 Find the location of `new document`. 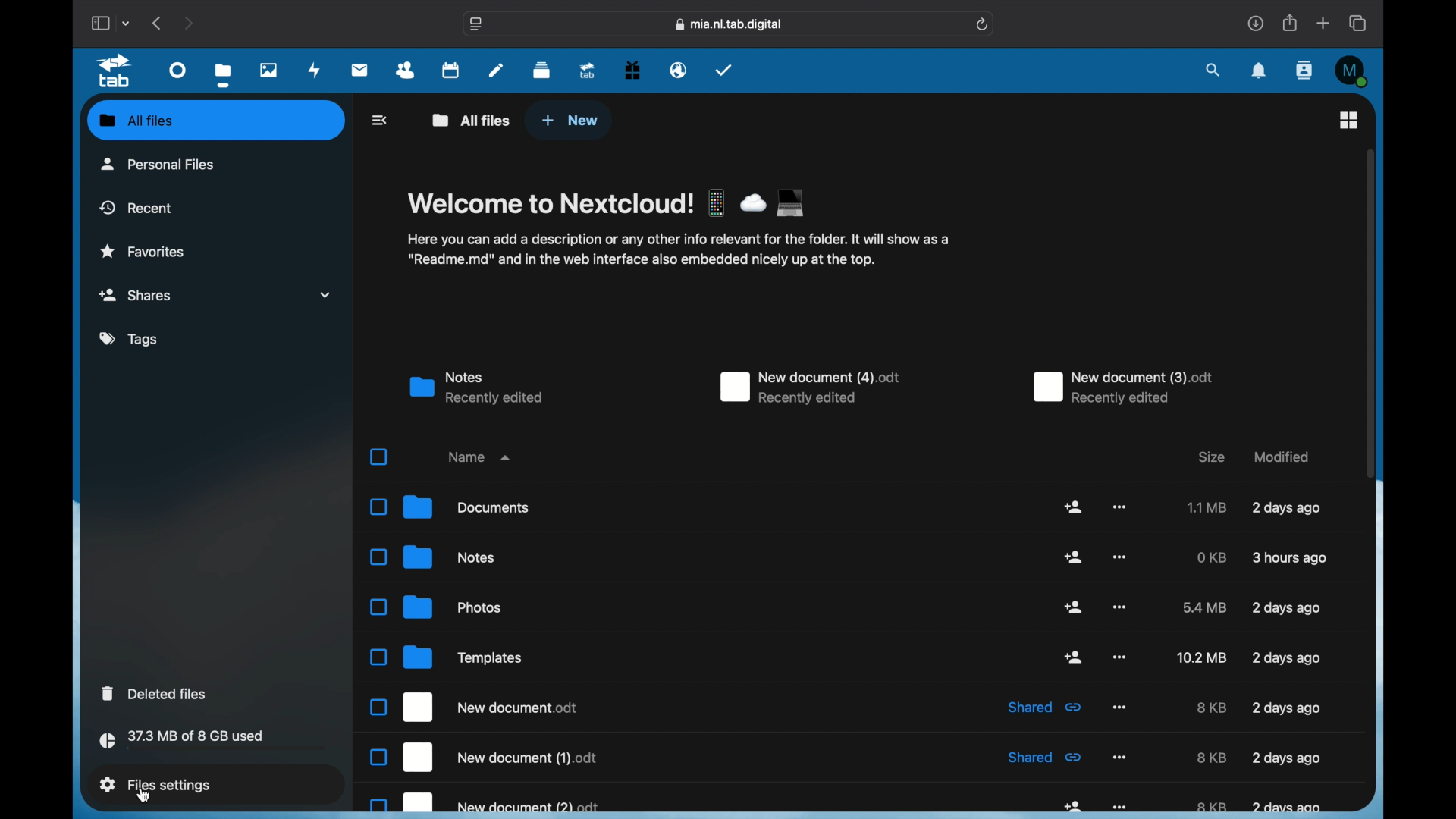

new document is located at coordinates (487, 757).